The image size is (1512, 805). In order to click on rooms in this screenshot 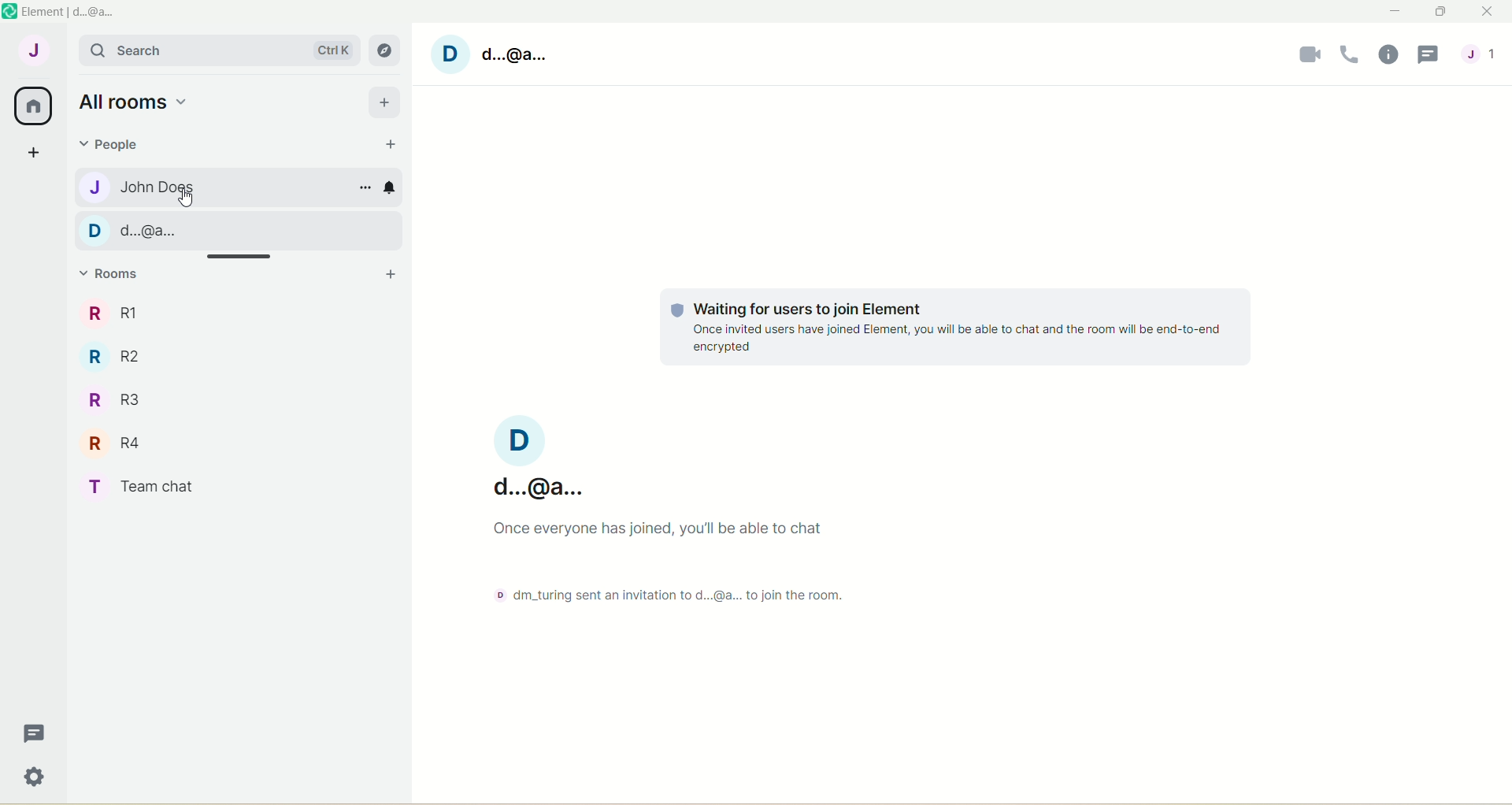, I will do `click(114, 275)`.